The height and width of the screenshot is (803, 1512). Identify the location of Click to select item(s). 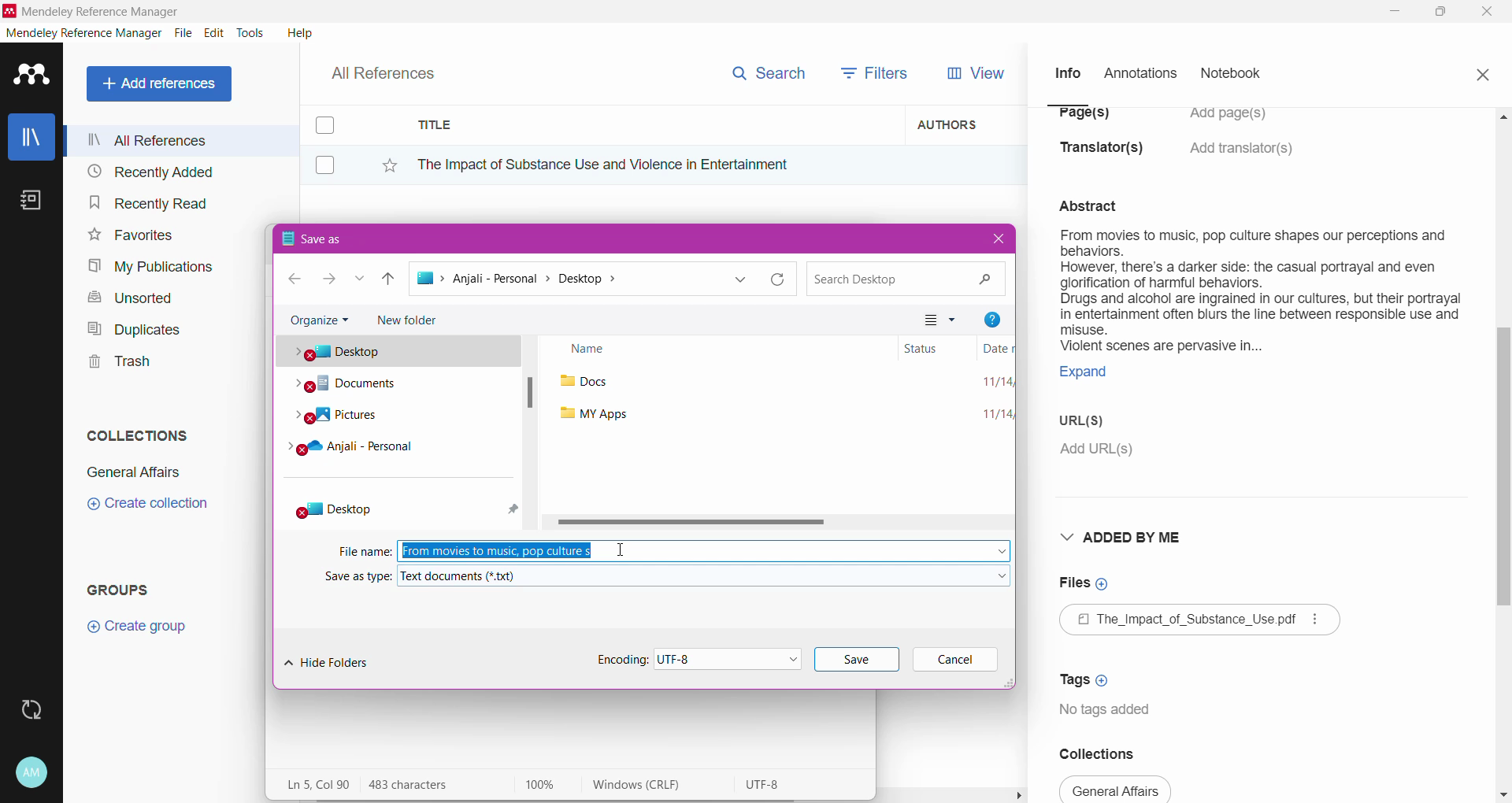
(333, 144).